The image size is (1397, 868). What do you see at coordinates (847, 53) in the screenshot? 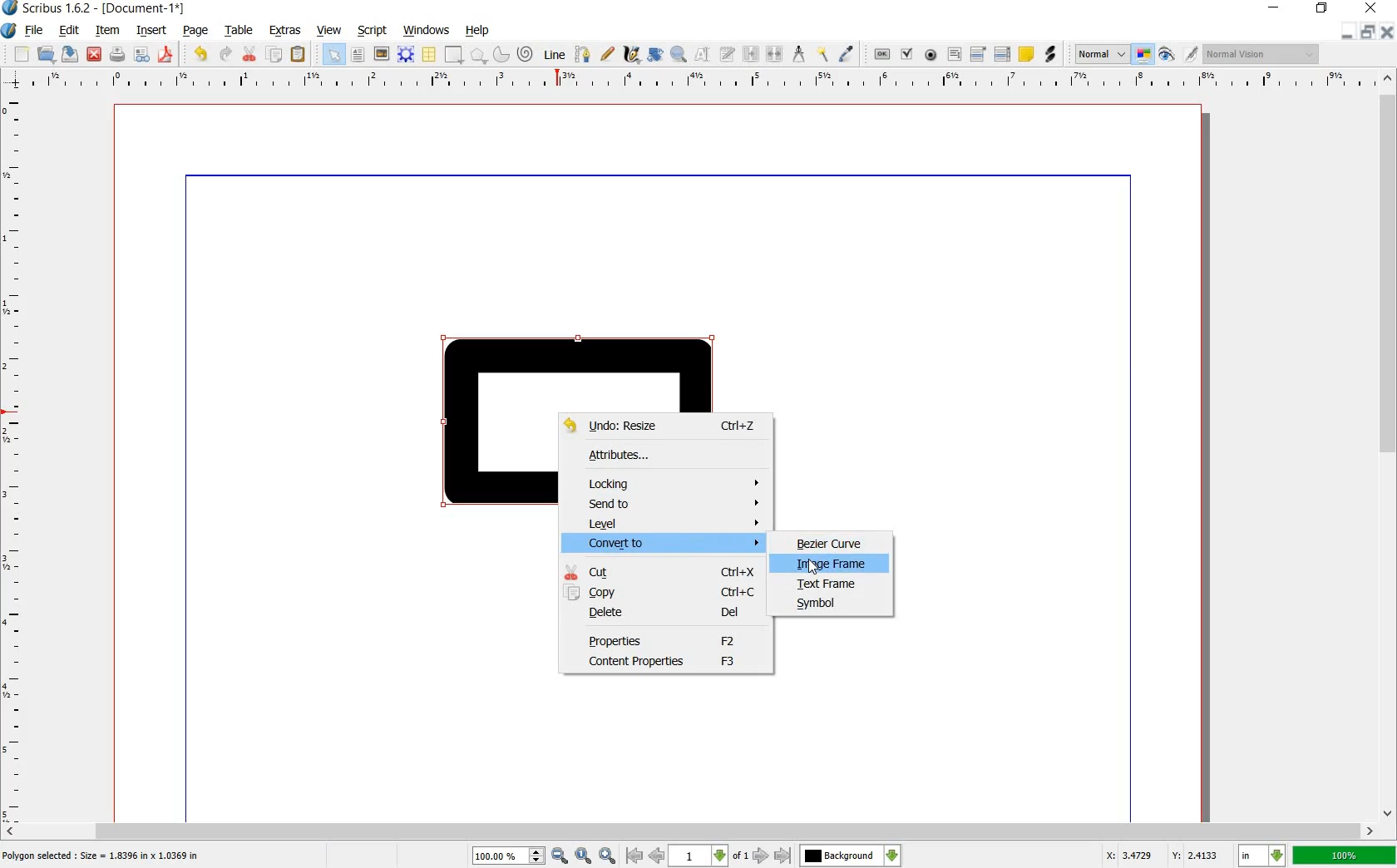
I see `eye dropper` at bounding box center [847, 53].